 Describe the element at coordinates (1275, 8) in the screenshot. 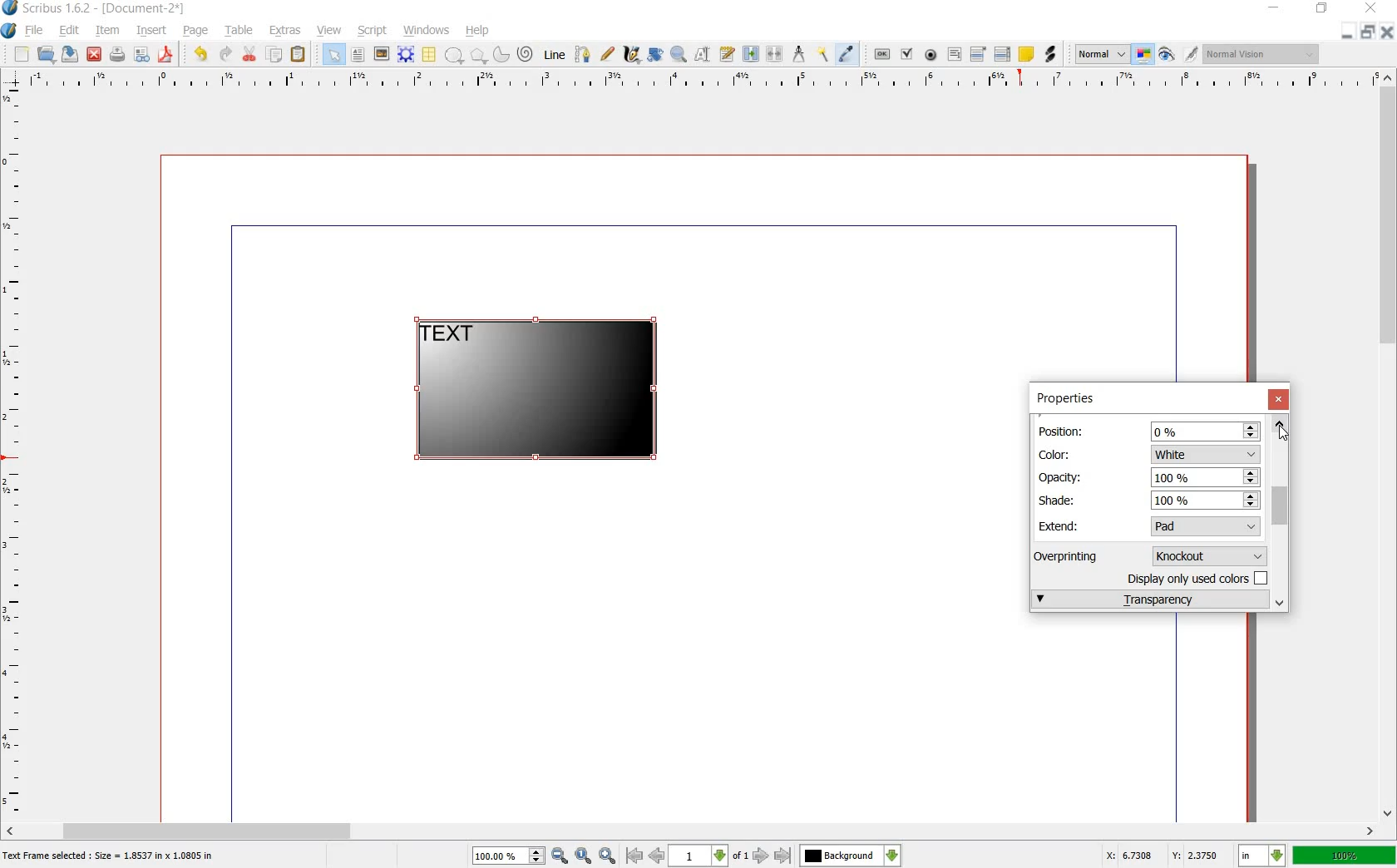

I see `minimize` at that location.